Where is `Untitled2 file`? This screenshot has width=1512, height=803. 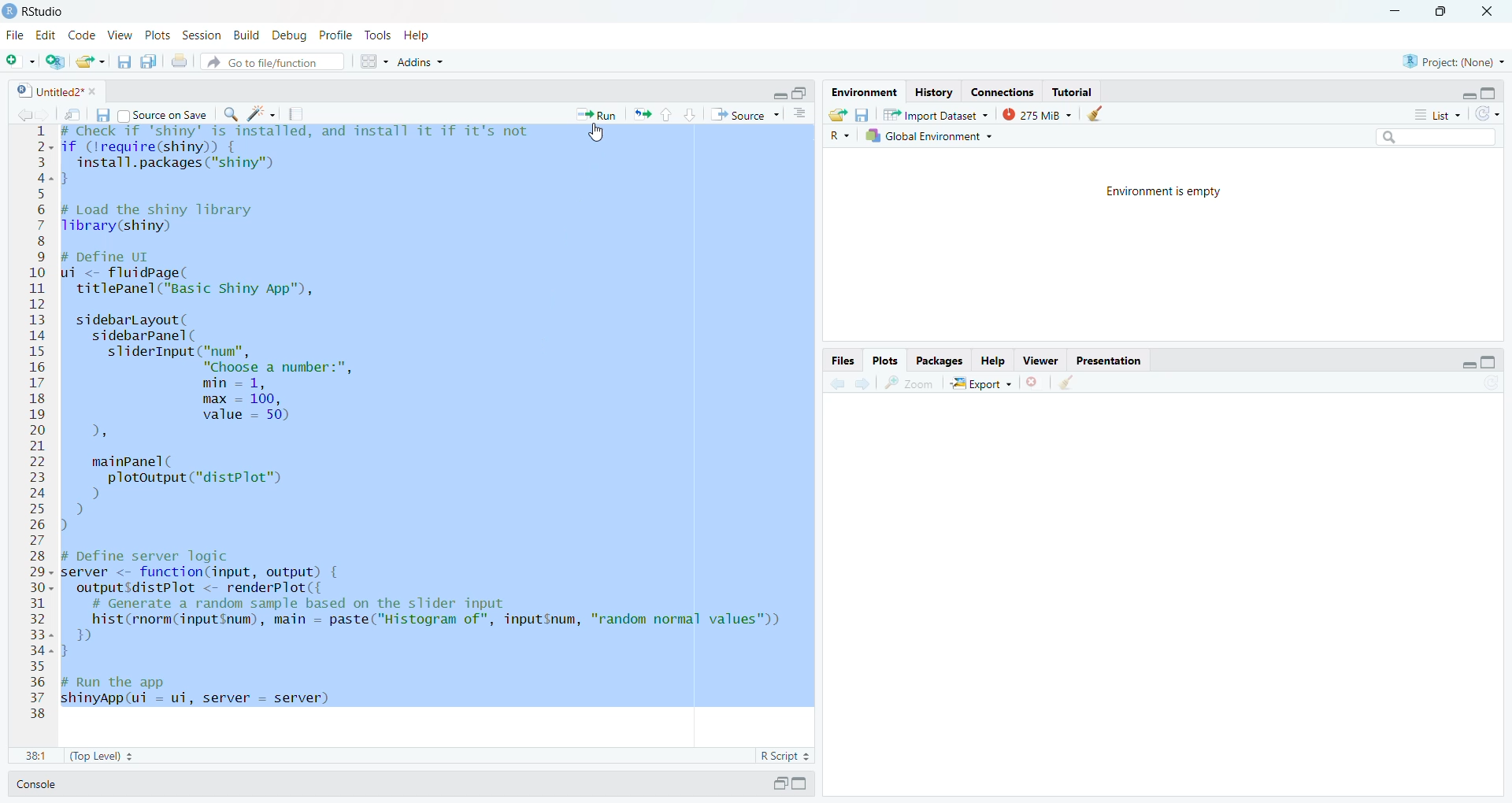 Untitled2 file is located at coordinates (48, 91).